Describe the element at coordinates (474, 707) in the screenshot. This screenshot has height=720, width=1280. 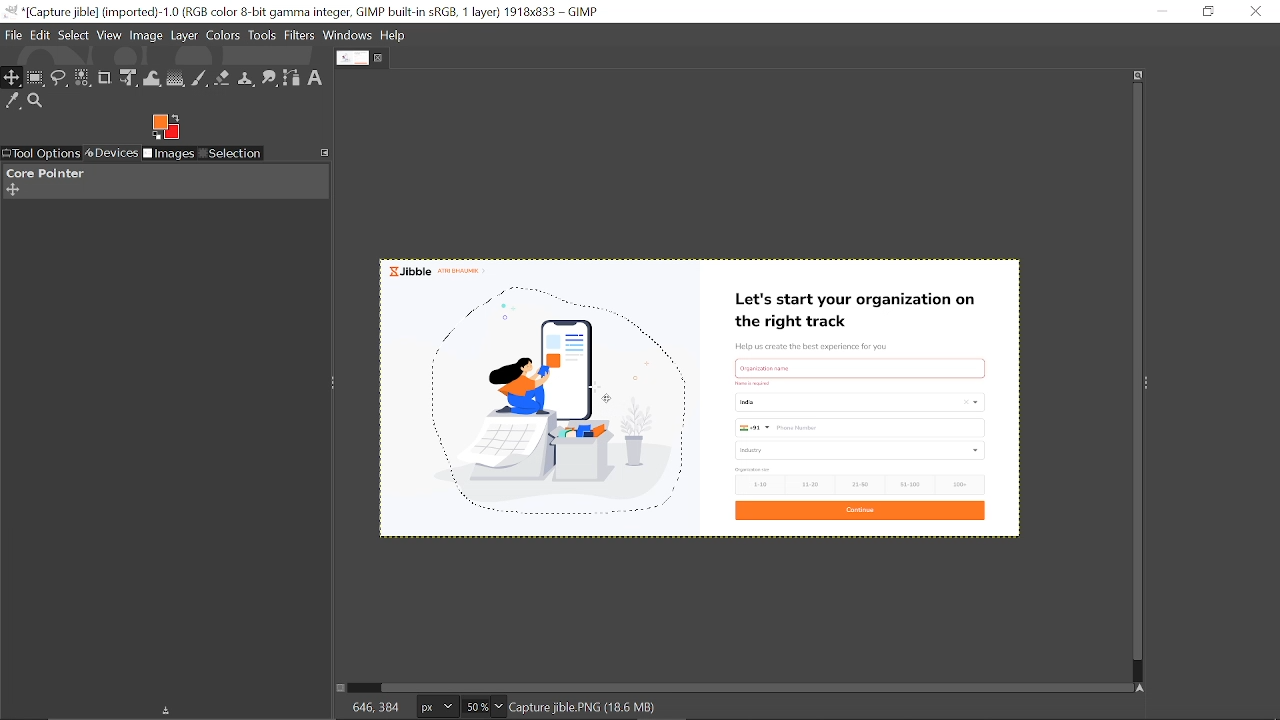
I see `Current Zoom` at that location.